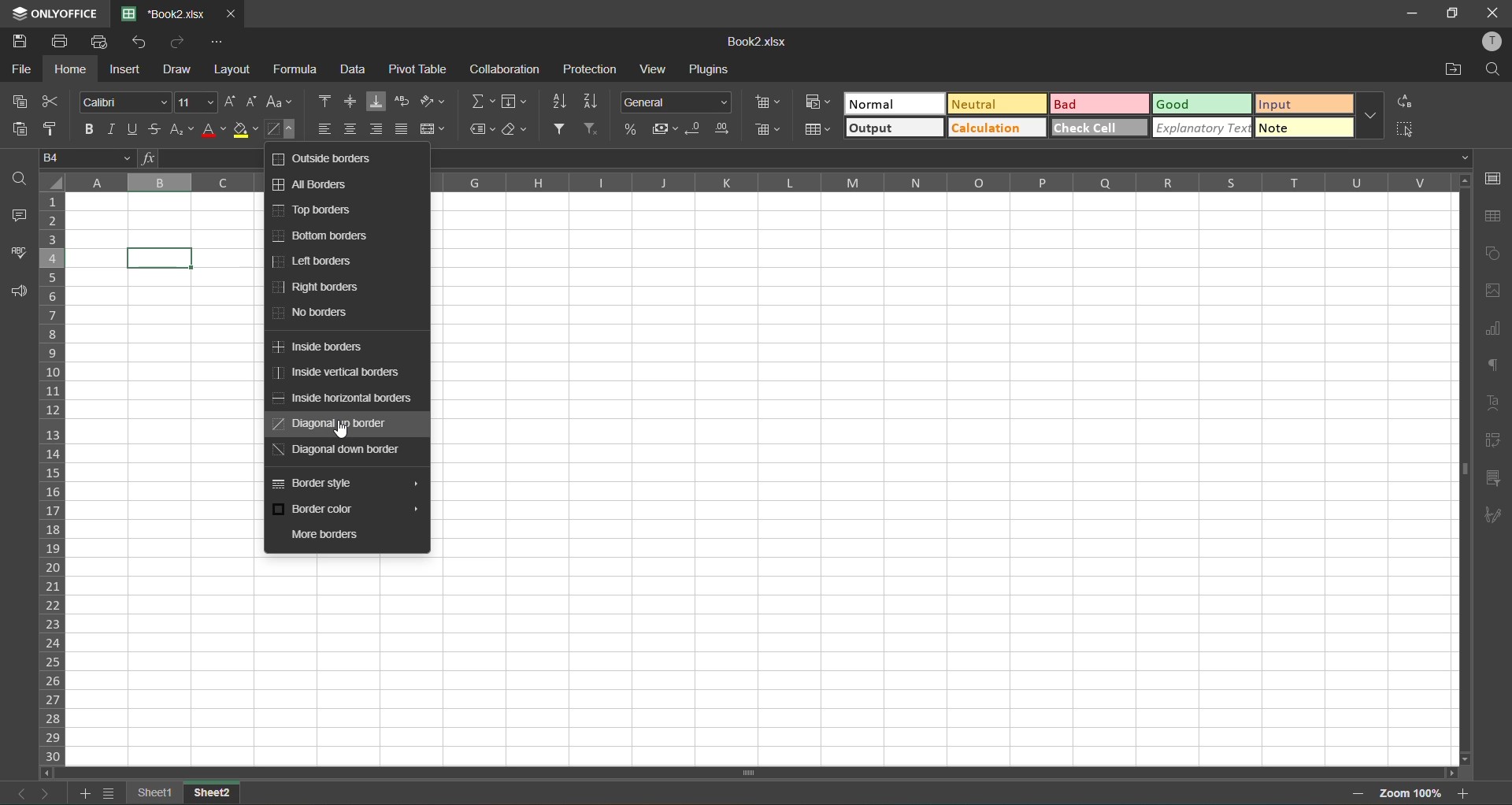  Describe the element at coordinates (56, 102) in the screenshot. I see `cut` at that location.